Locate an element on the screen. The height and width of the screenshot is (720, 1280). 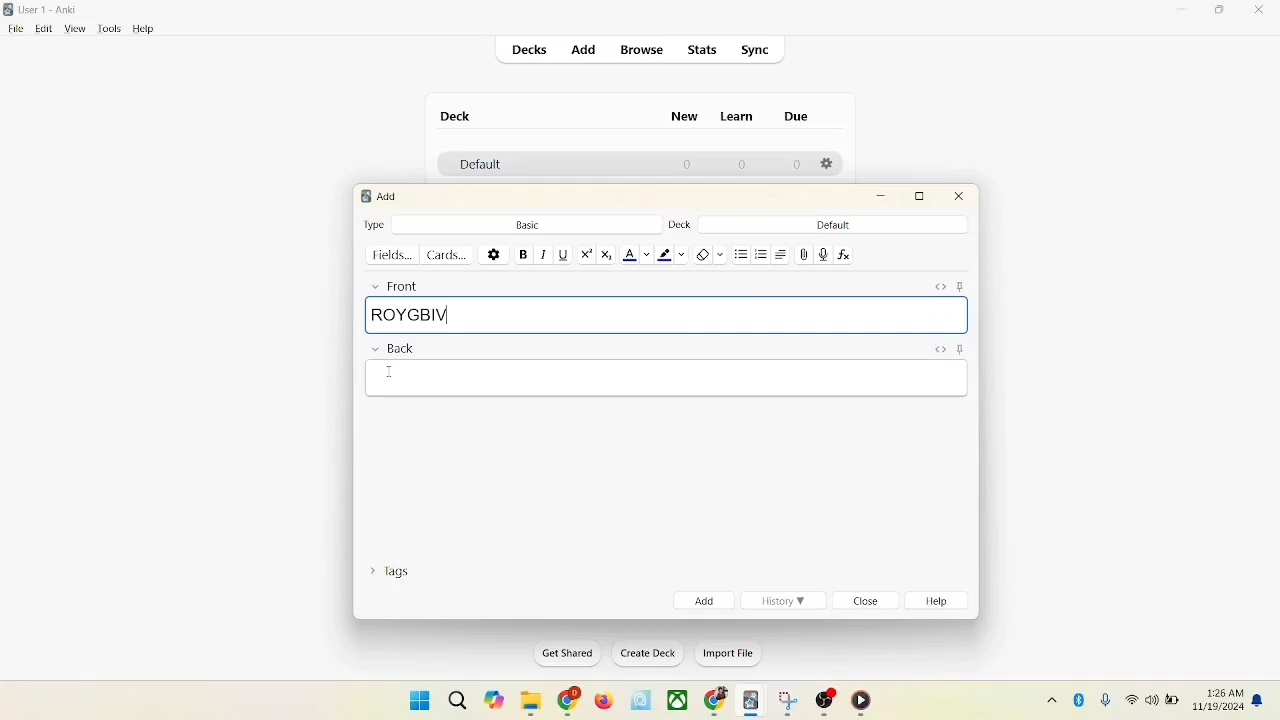
bold is located at coordinates (522, 253).